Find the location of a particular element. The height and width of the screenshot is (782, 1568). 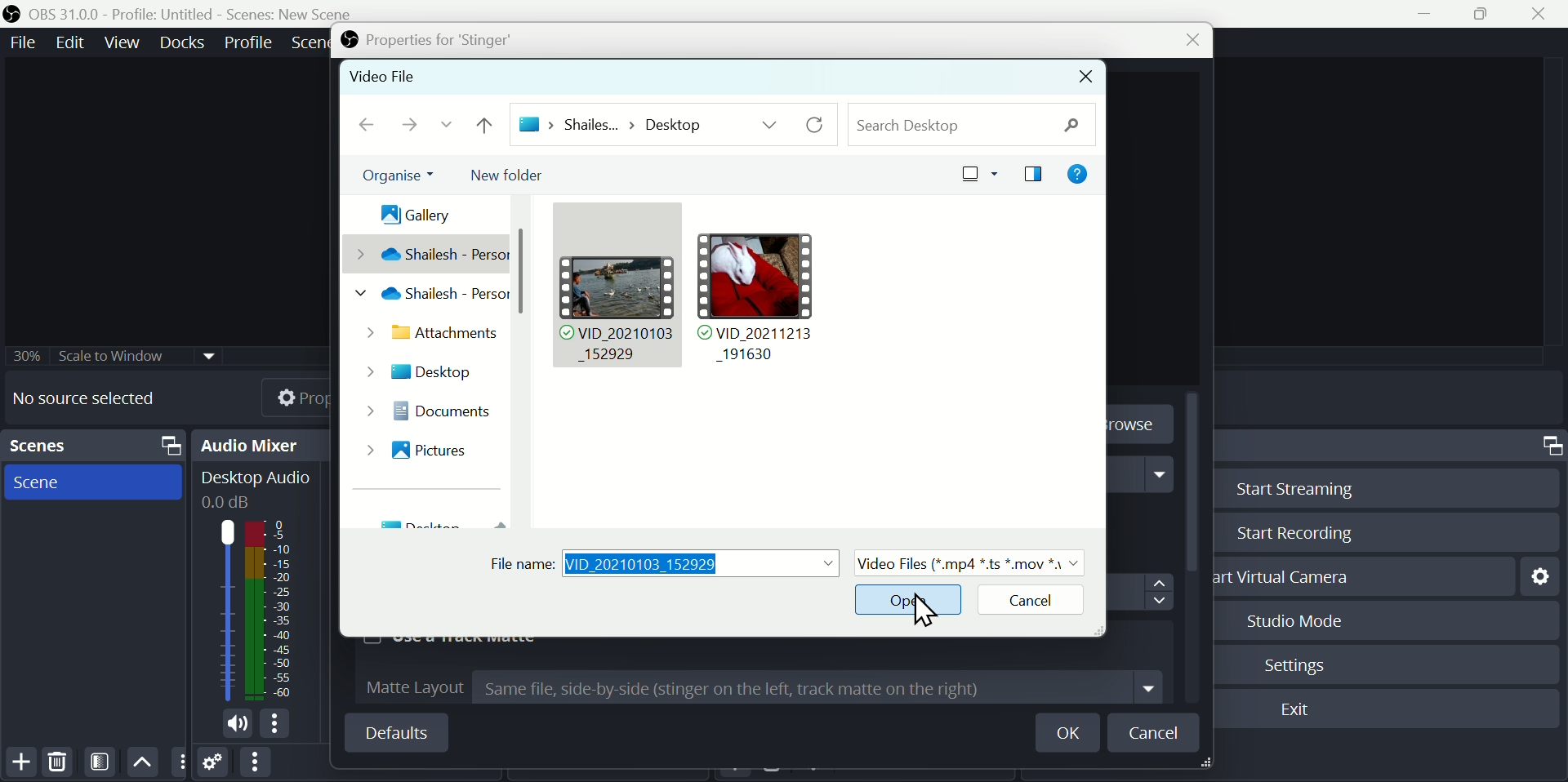

minimise is located at coordinates (1430, 14).